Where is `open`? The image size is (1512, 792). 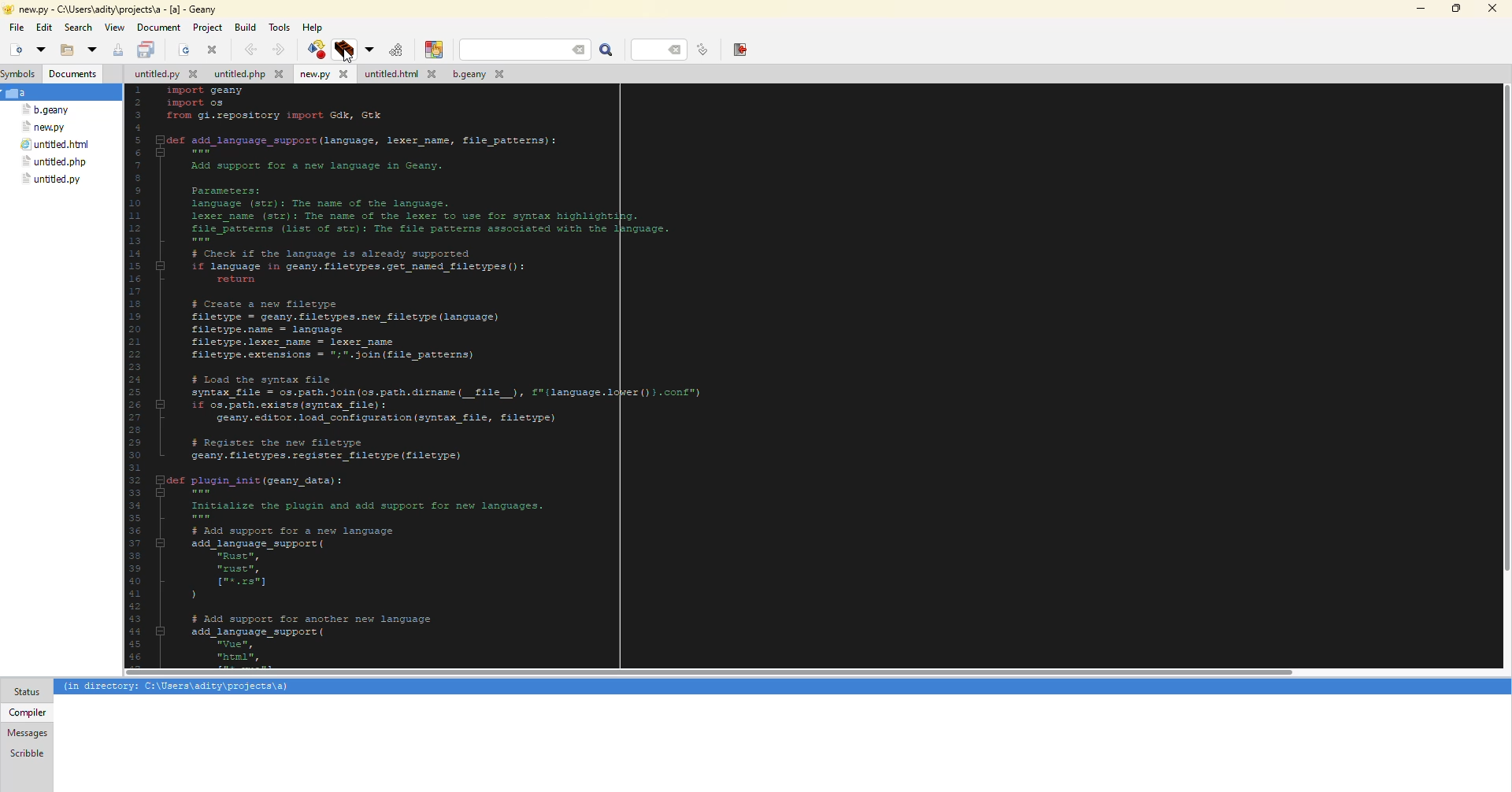 open is located at coordinates (64, 51).